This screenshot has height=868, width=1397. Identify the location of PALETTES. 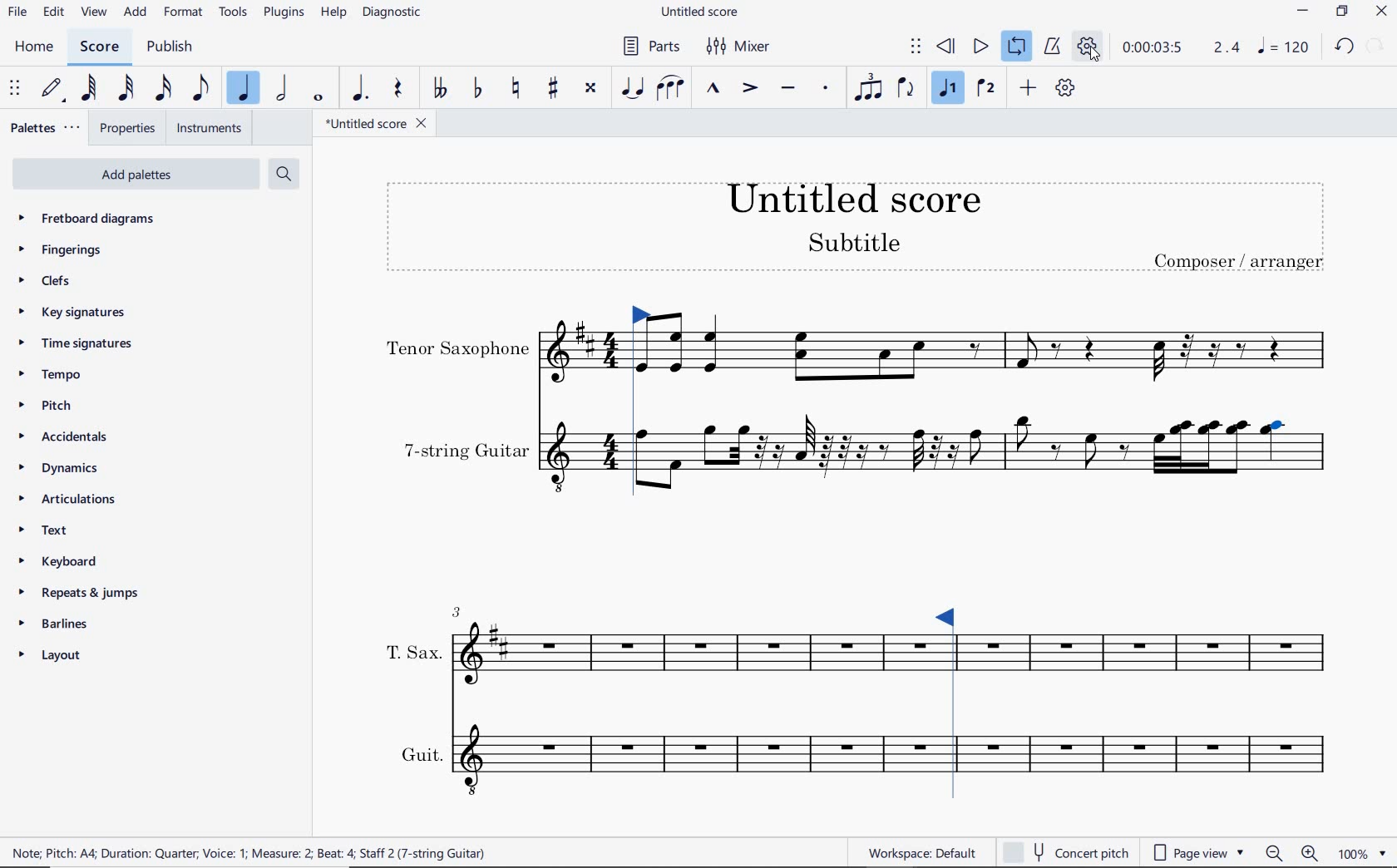
(44, 126).